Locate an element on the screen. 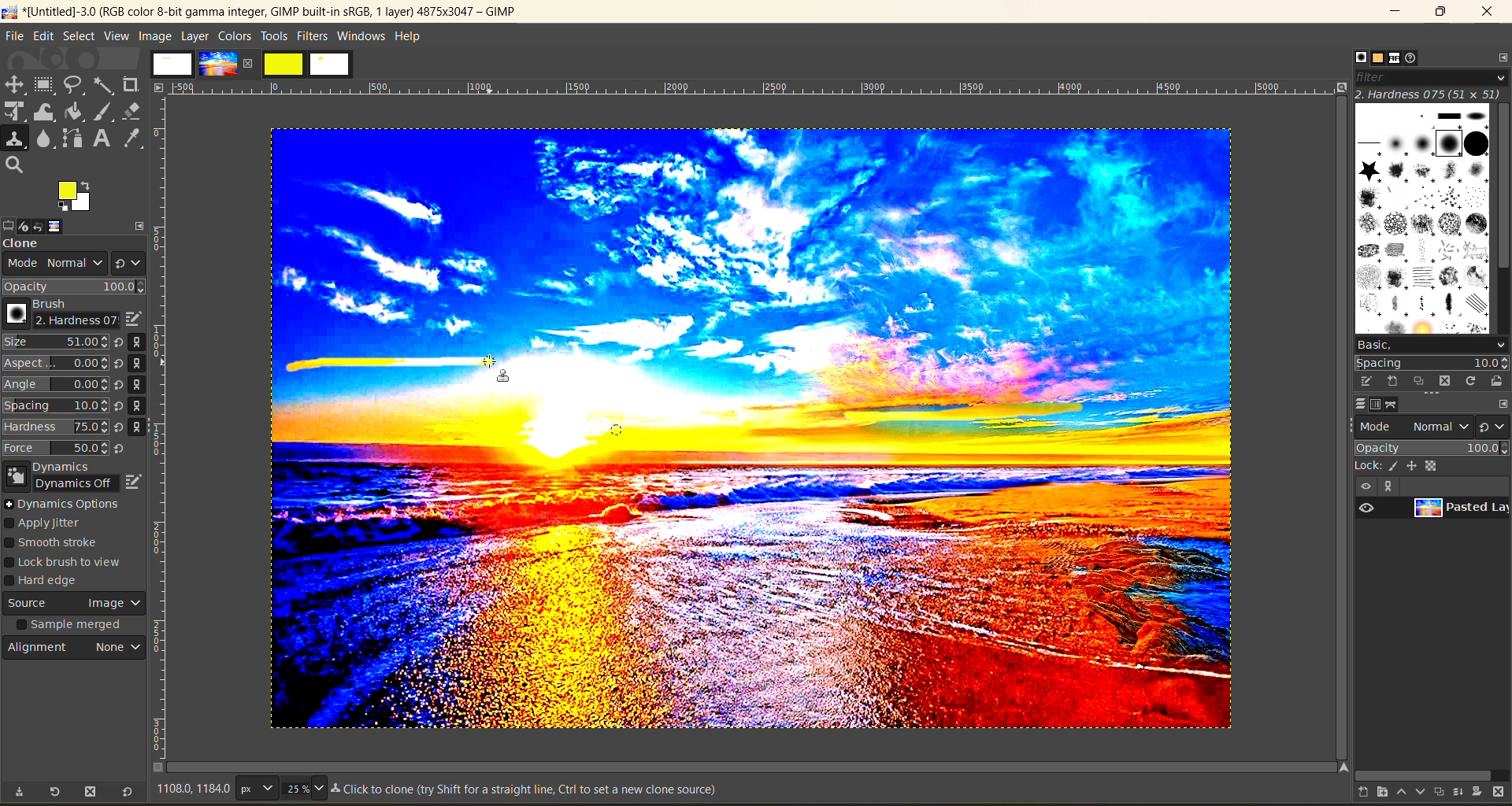  link to brush is located at coordinates (142, 387).